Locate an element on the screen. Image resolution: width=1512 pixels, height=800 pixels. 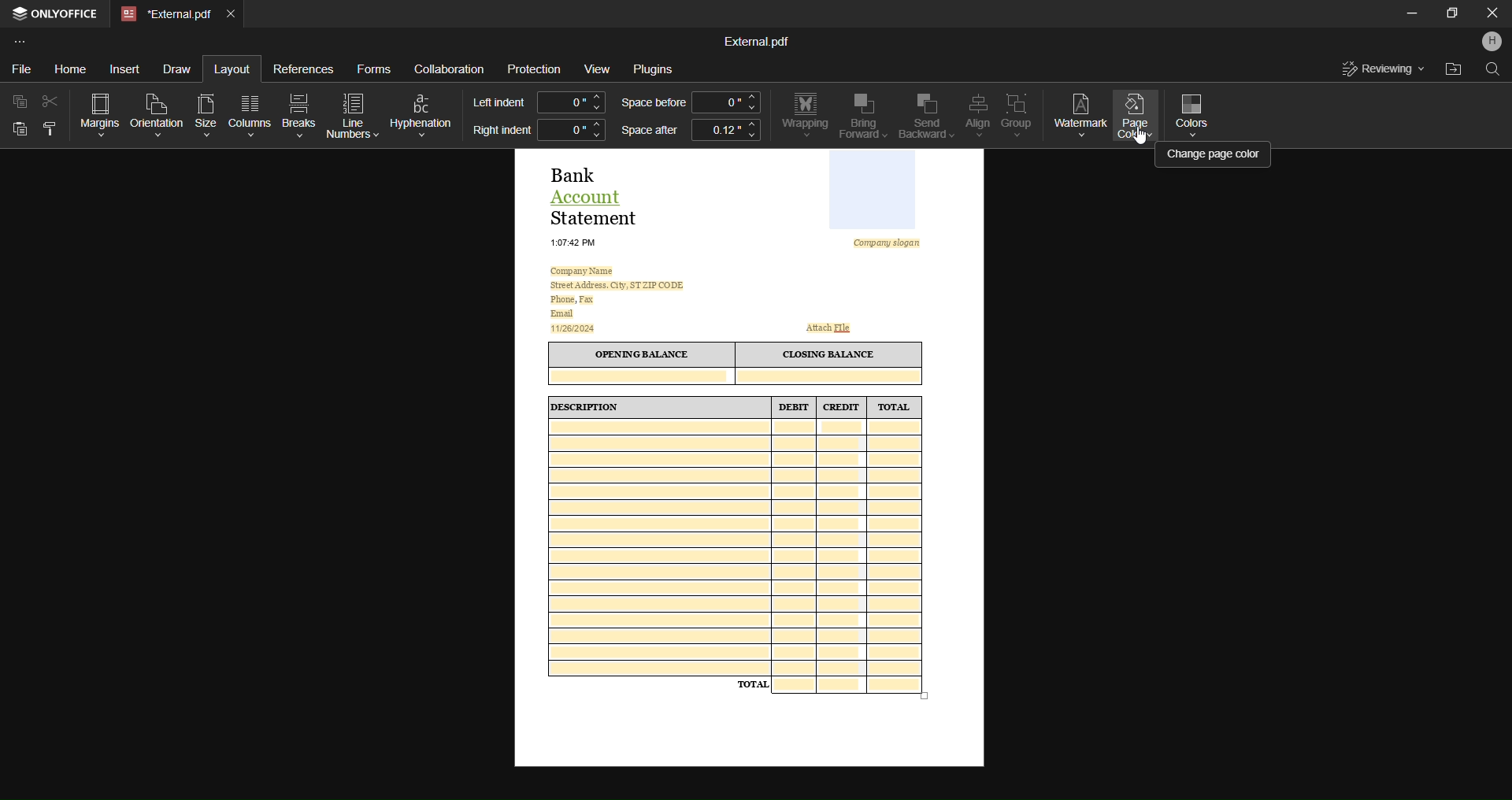
Find is located at coordinates (1493, 72).